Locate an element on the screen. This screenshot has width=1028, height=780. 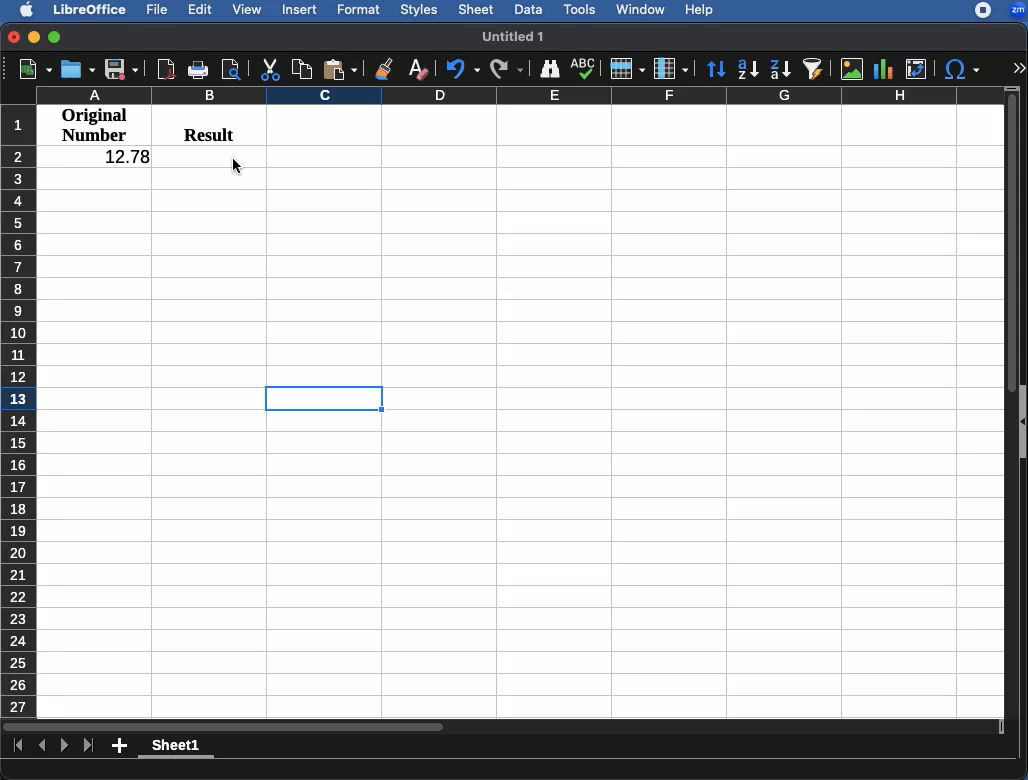
Help is located at coordinates (700, 11).